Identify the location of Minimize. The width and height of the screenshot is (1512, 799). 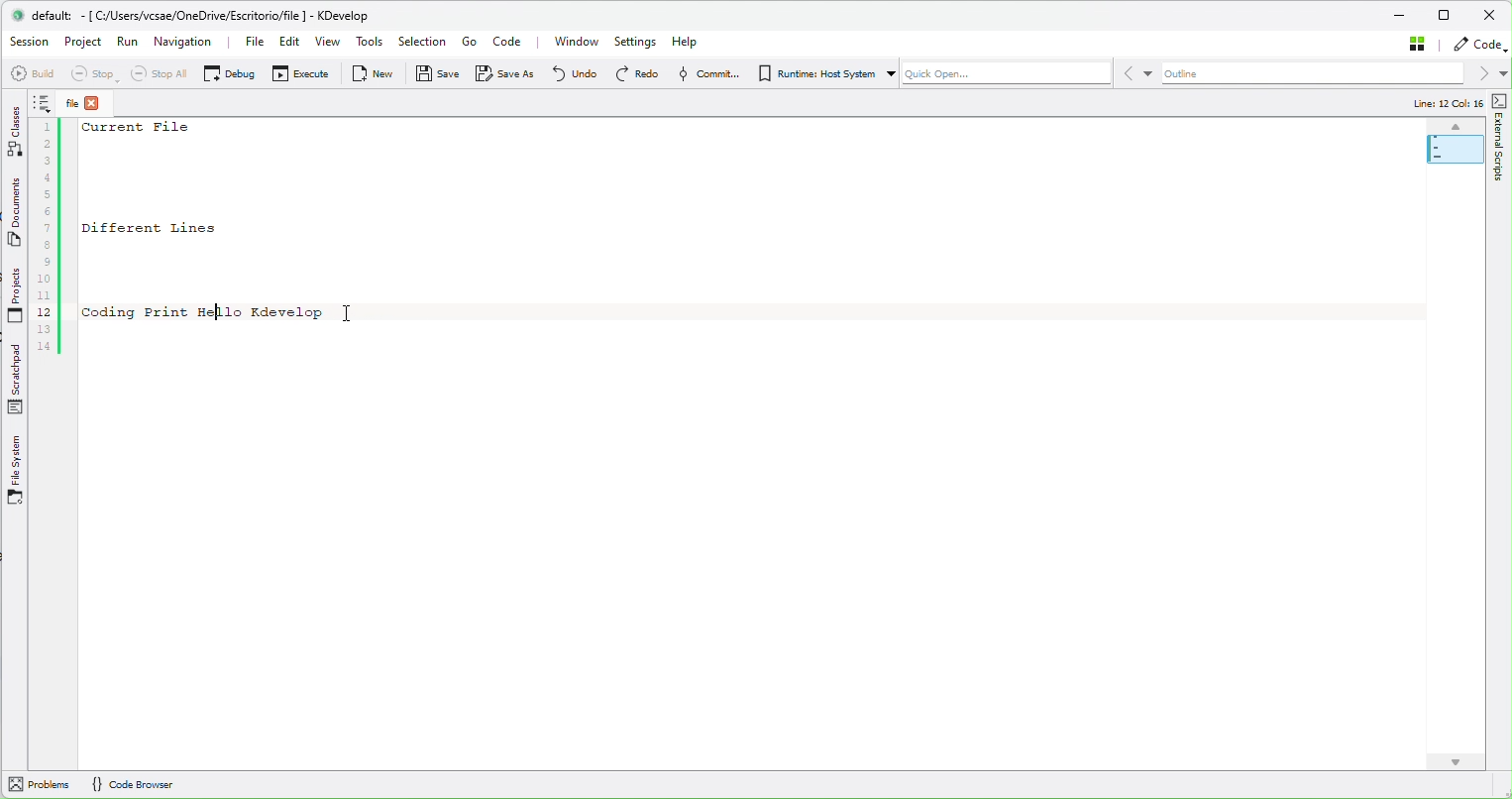
(1402, 17).